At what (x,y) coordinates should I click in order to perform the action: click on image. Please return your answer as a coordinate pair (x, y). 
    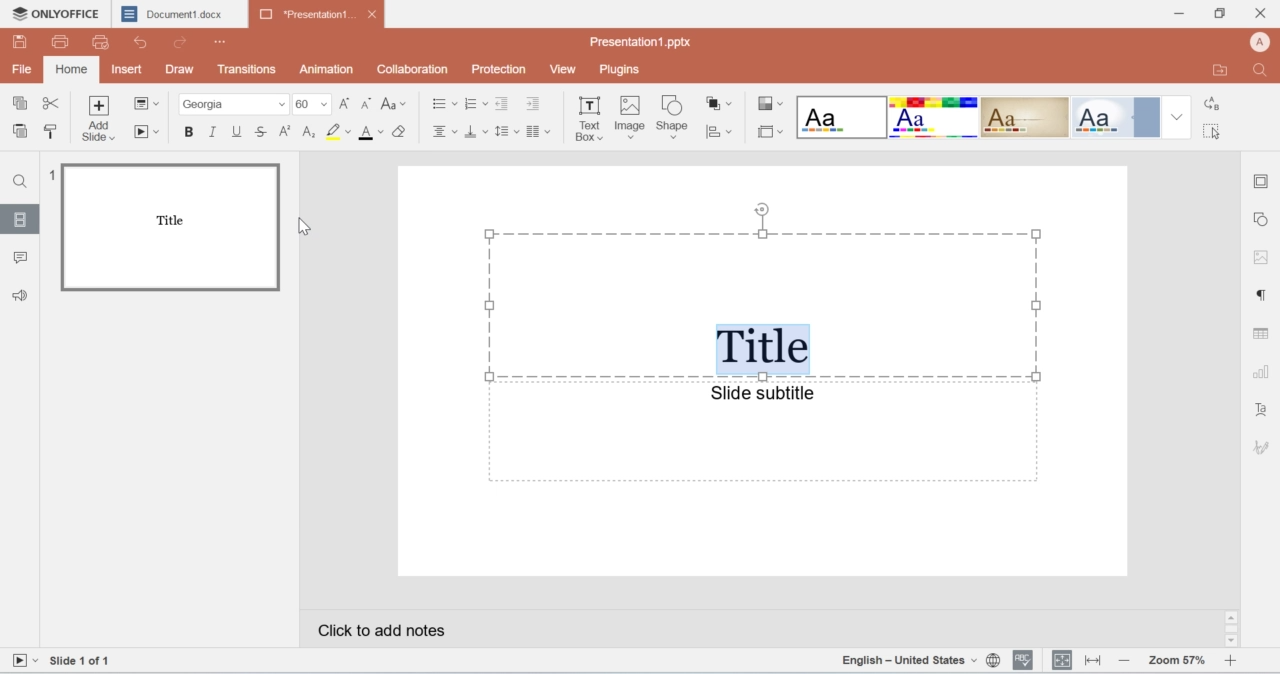
    Looking at the image, I should click on (629, 119).